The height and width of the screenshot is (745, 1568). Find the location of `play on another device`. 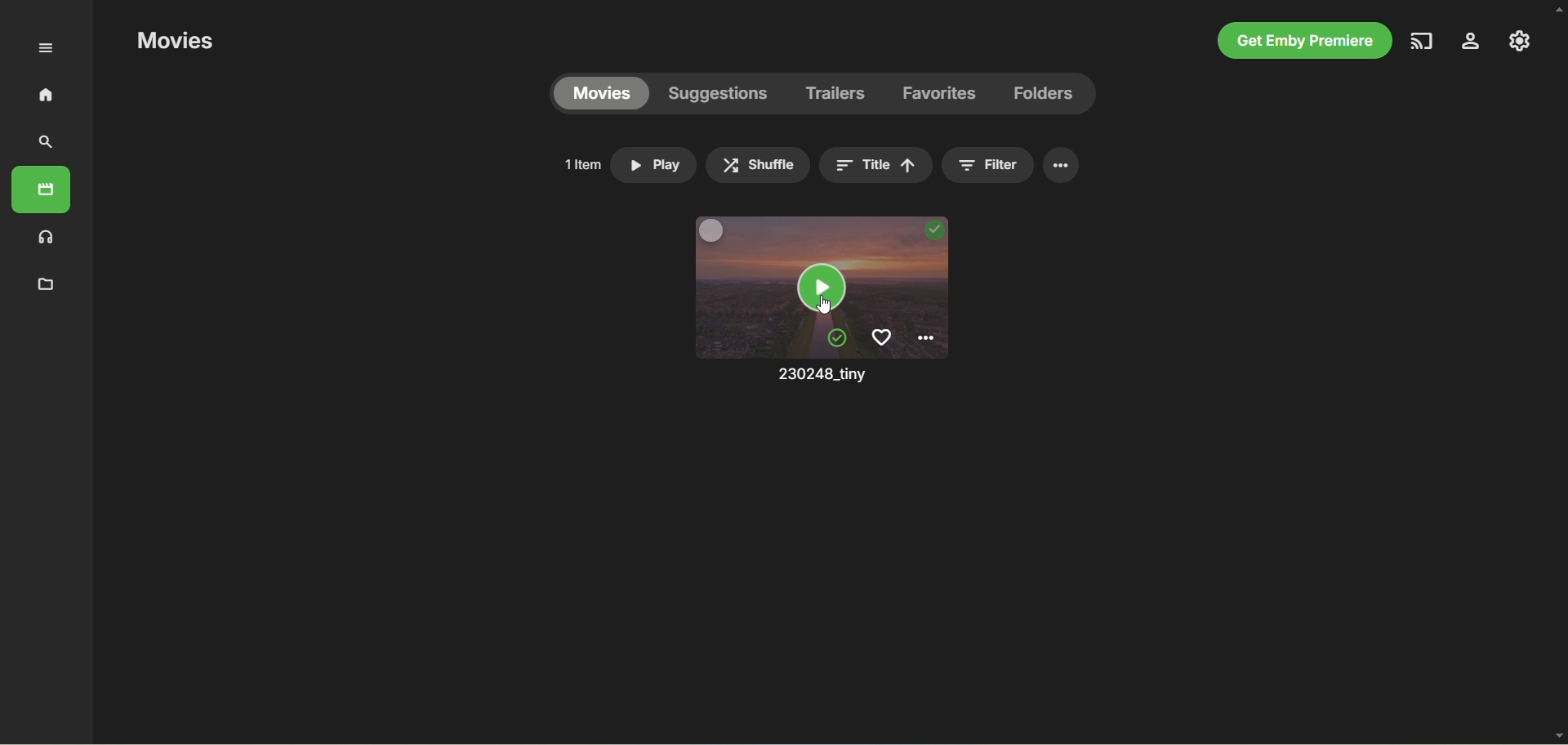

play on another device is located at coordinates (1424, 41).